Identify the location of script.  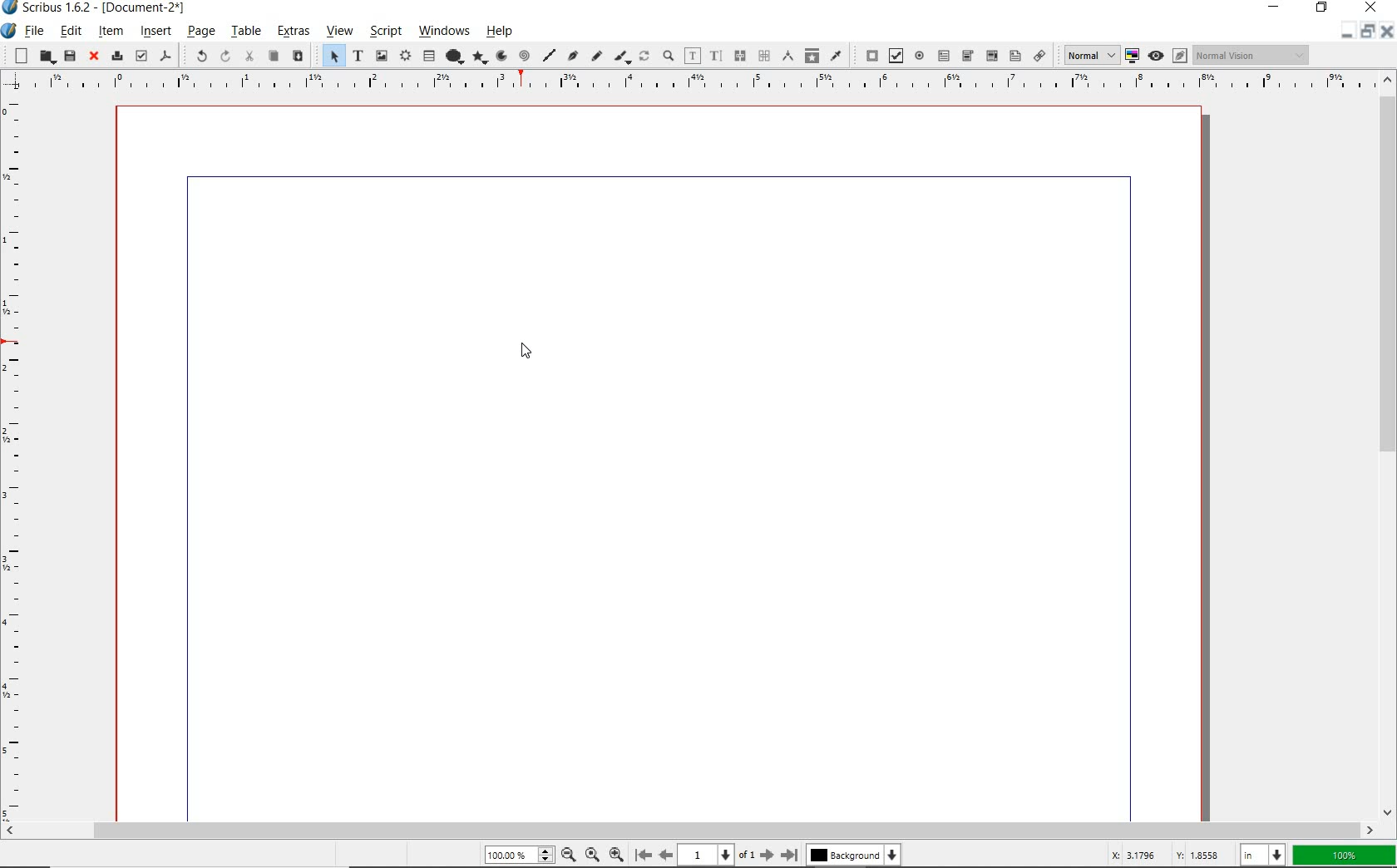
(384, 32).